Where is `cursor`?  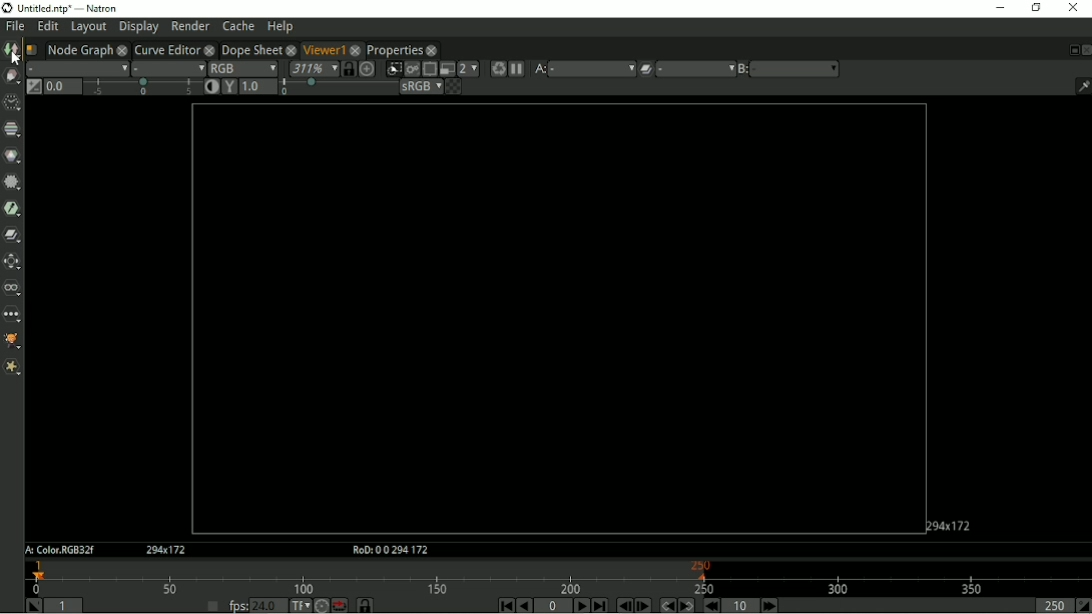 cursor is located at coordinates (18, 58).